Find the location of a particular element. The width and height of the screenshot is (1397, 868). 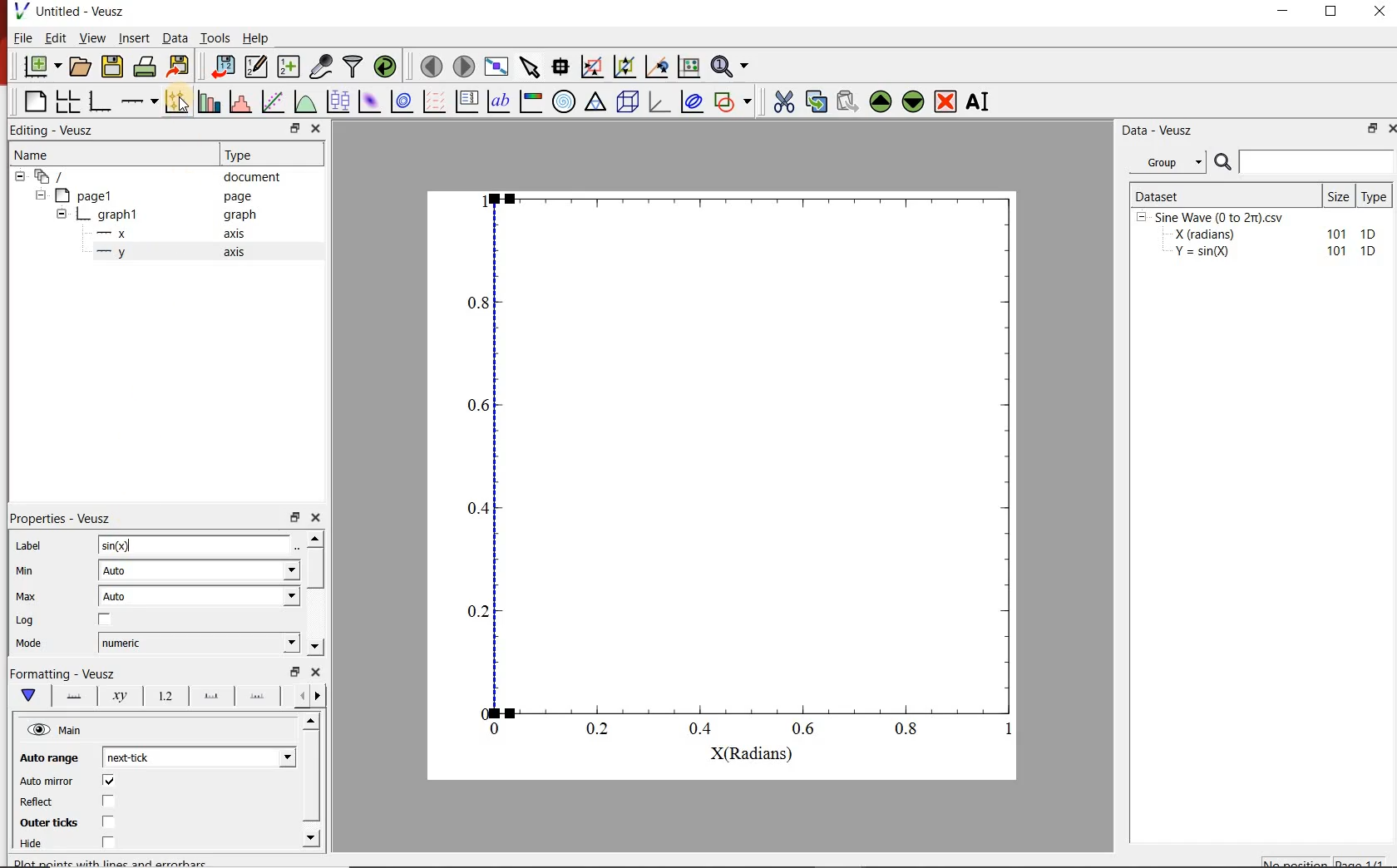

plot bar charts is located at coordinates (211, 100).